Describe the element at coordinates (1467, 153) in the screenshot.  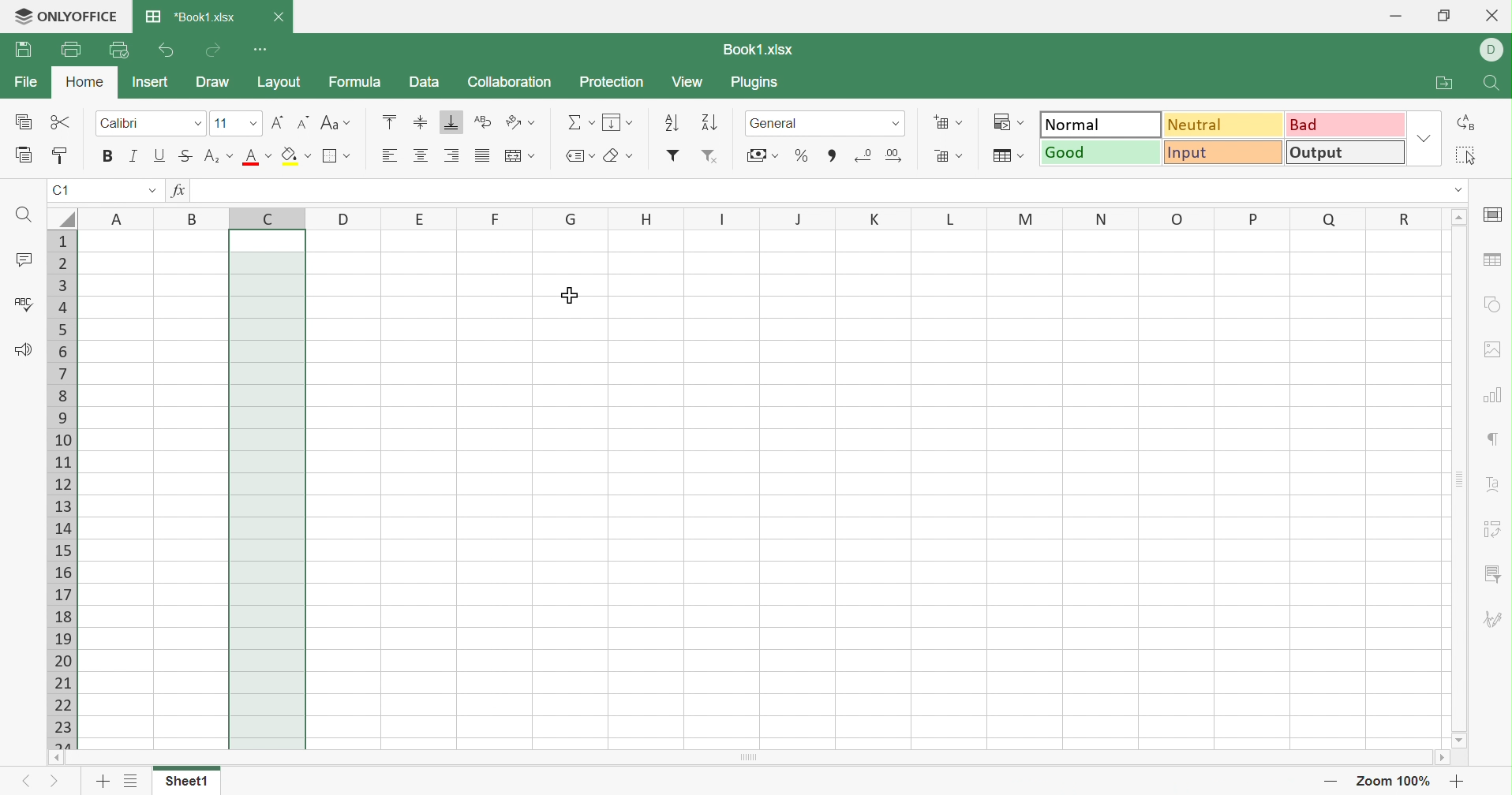
I see `Select all` at that location.